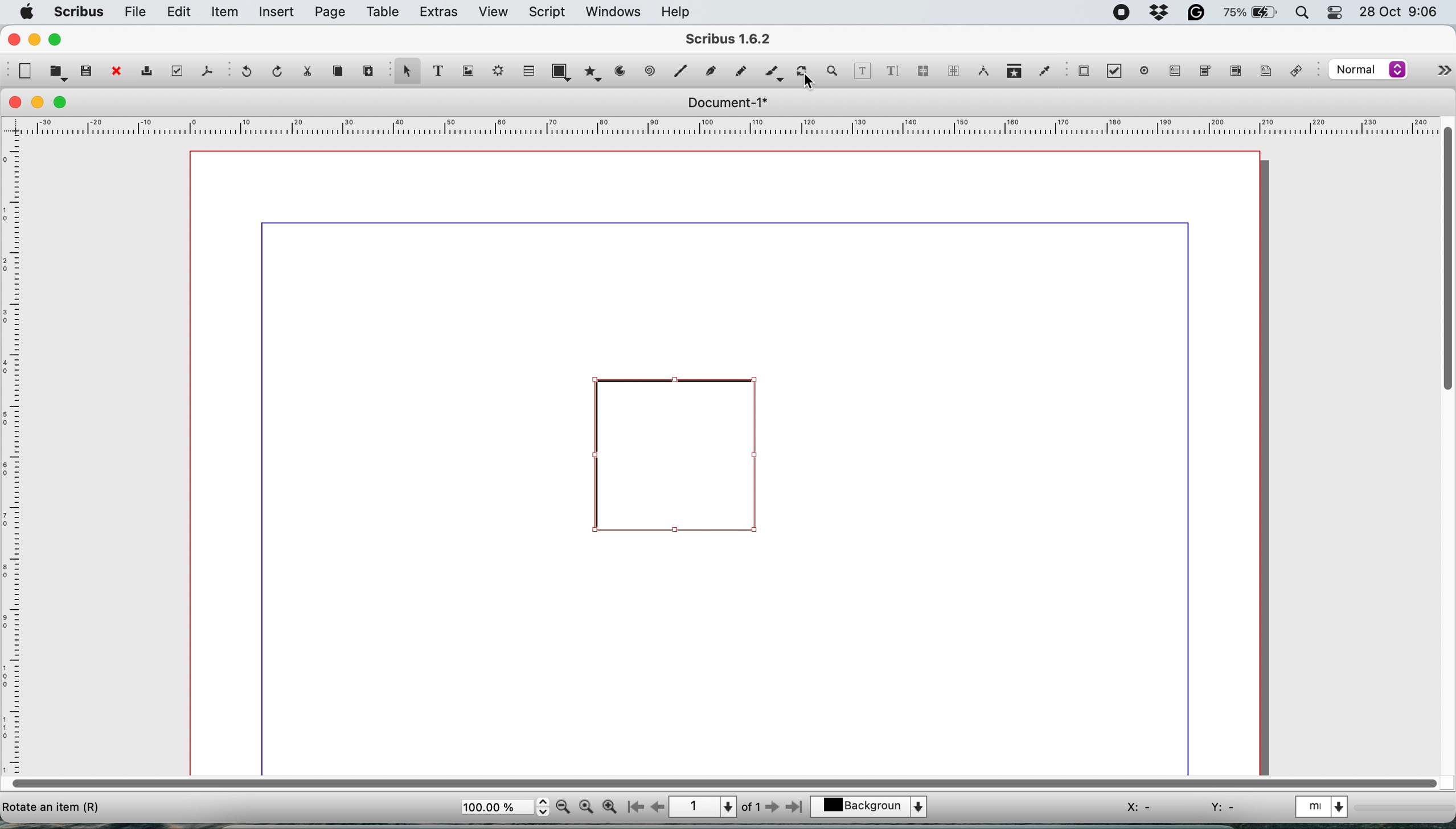  Describe the element at coordinates (86, 71) in the screenshot. I see `save` at that location.